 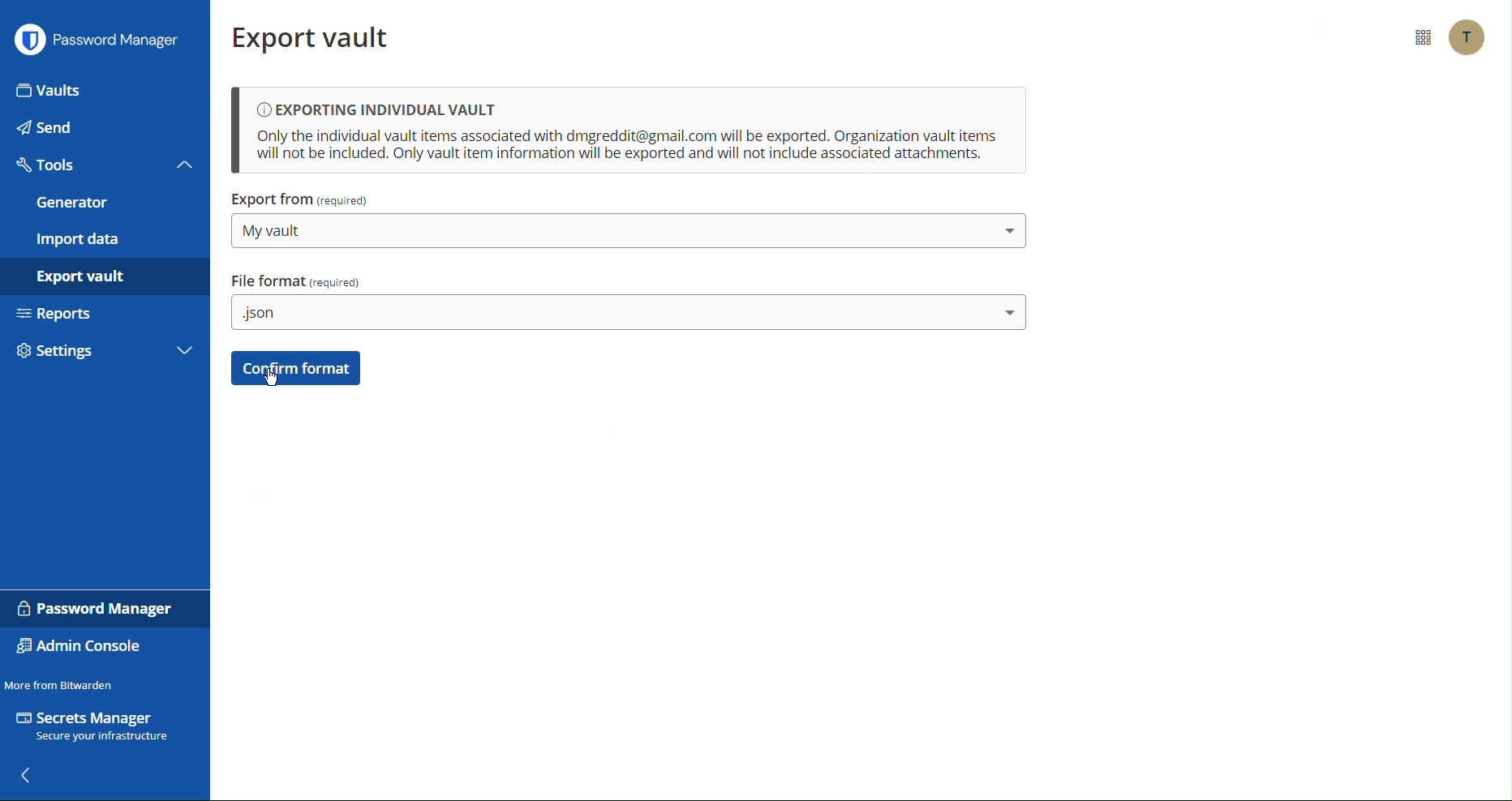 I want to click on More Options, so click(x=1422, y=38).